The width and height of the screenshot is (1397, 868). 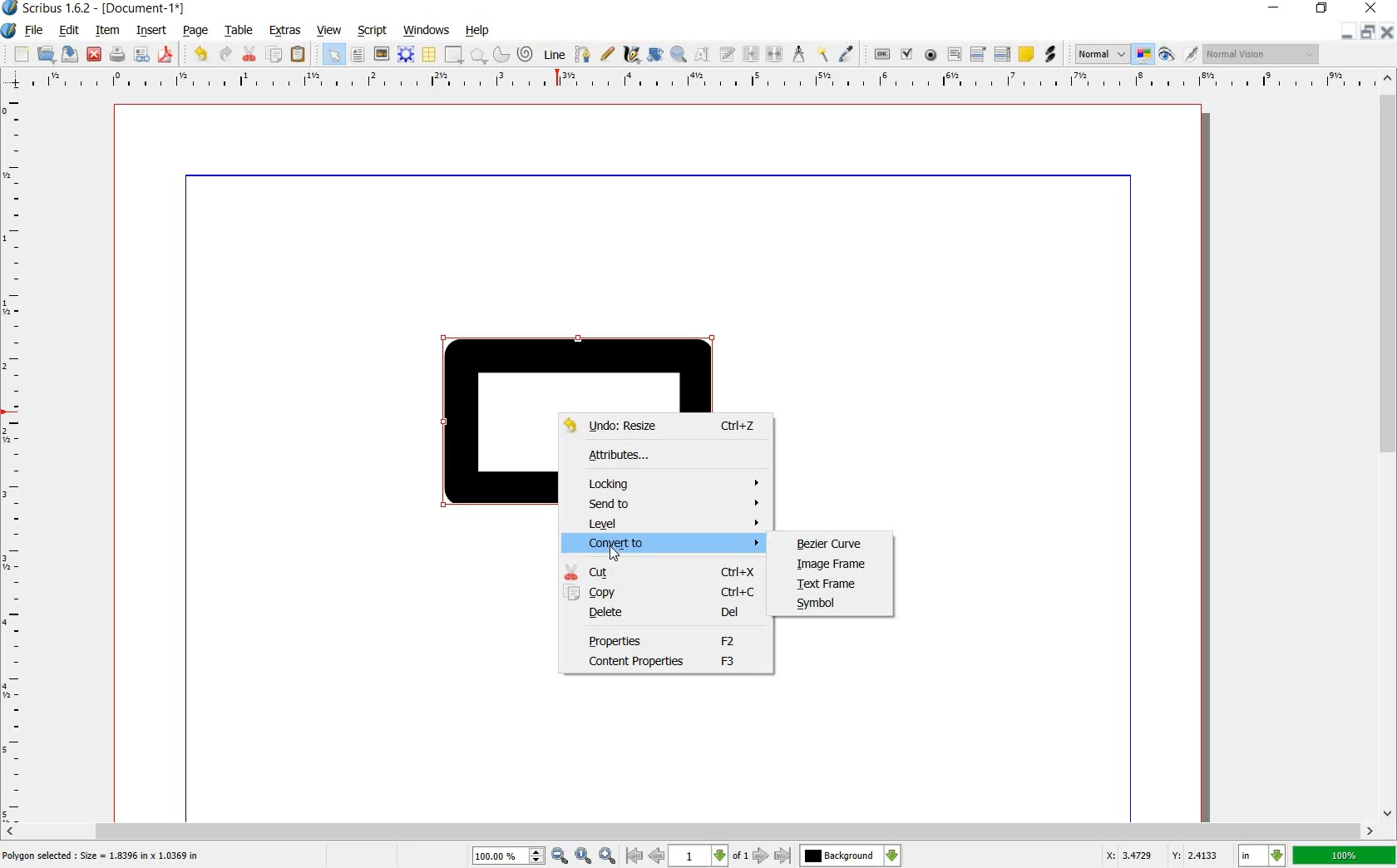 What do you see at coordinates (776, 52) in the screenshot?
I see `unlink text frames` at bounding box center [776, 52].